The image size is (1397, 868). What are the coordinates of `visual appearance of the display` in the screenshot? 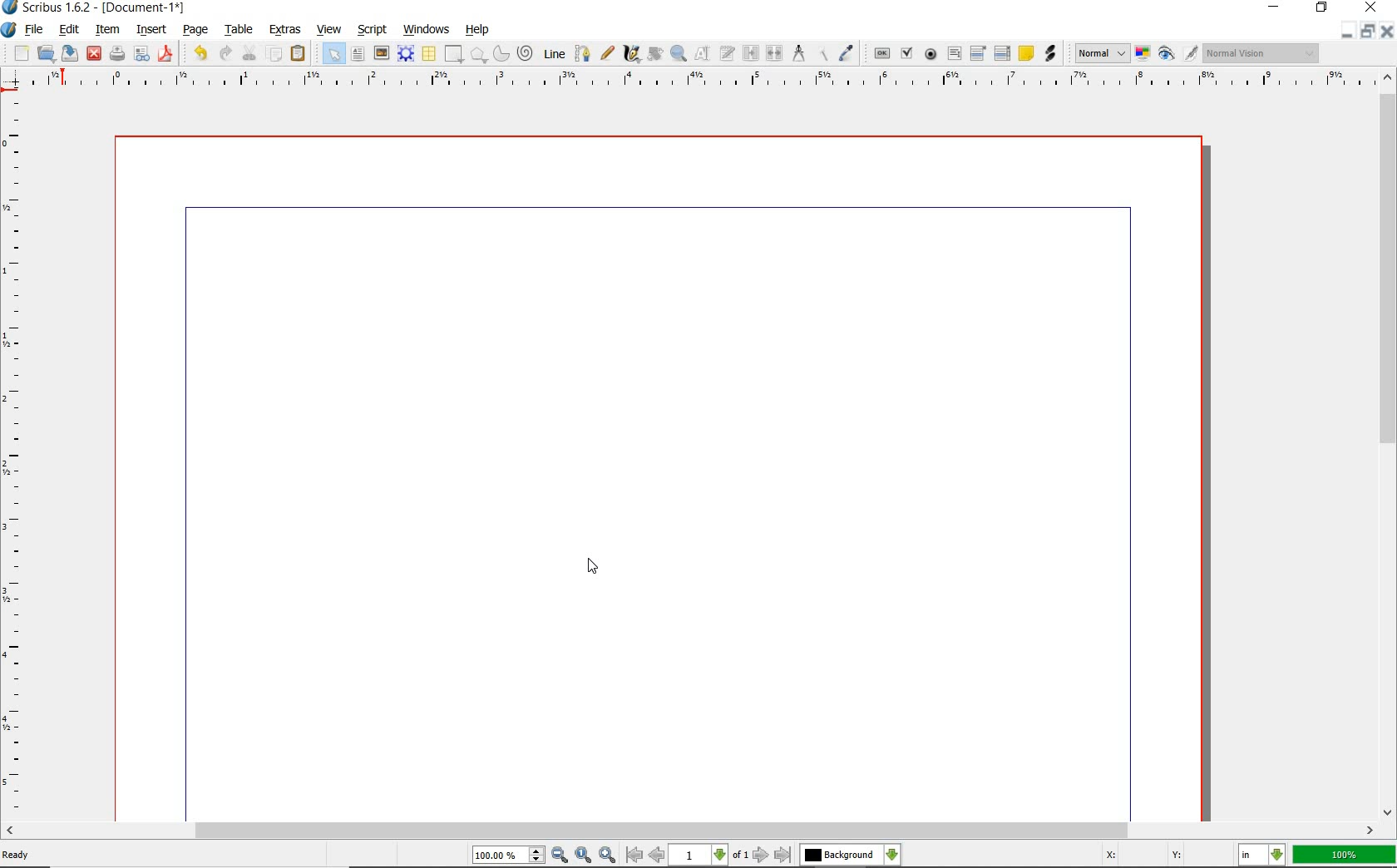 It's located at (1261, 55).